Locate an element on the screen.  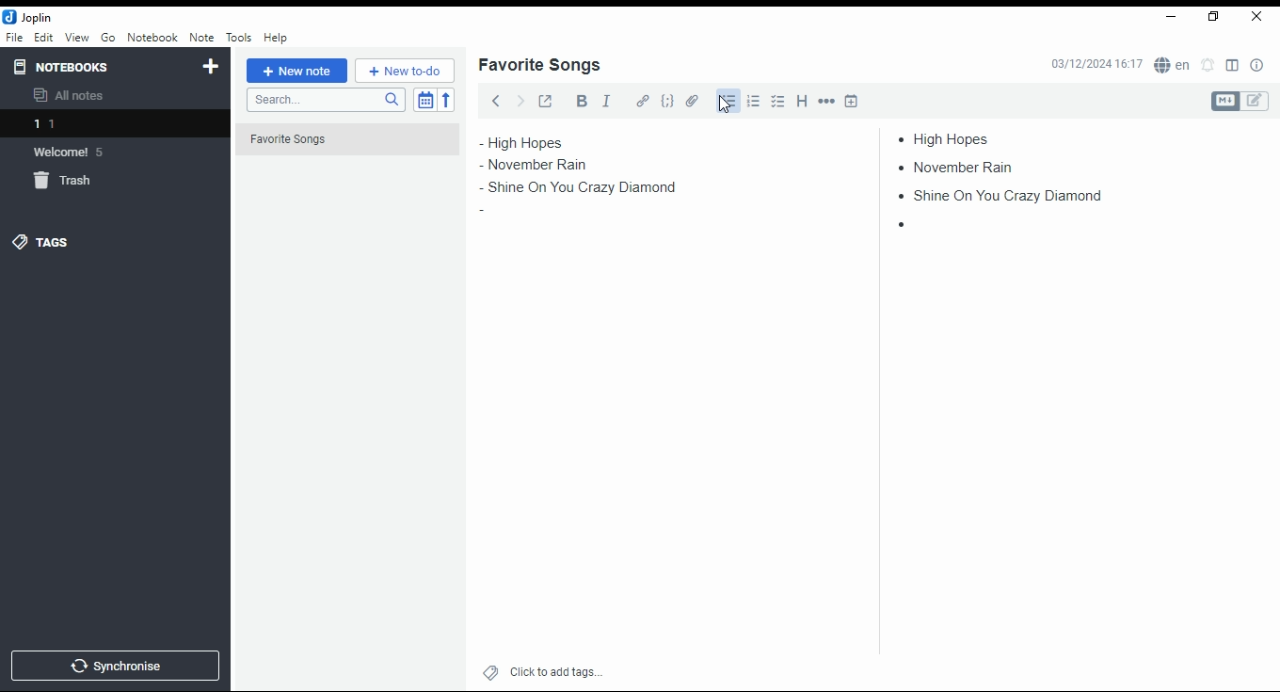
new notebook is located at coordinates (211, 67).